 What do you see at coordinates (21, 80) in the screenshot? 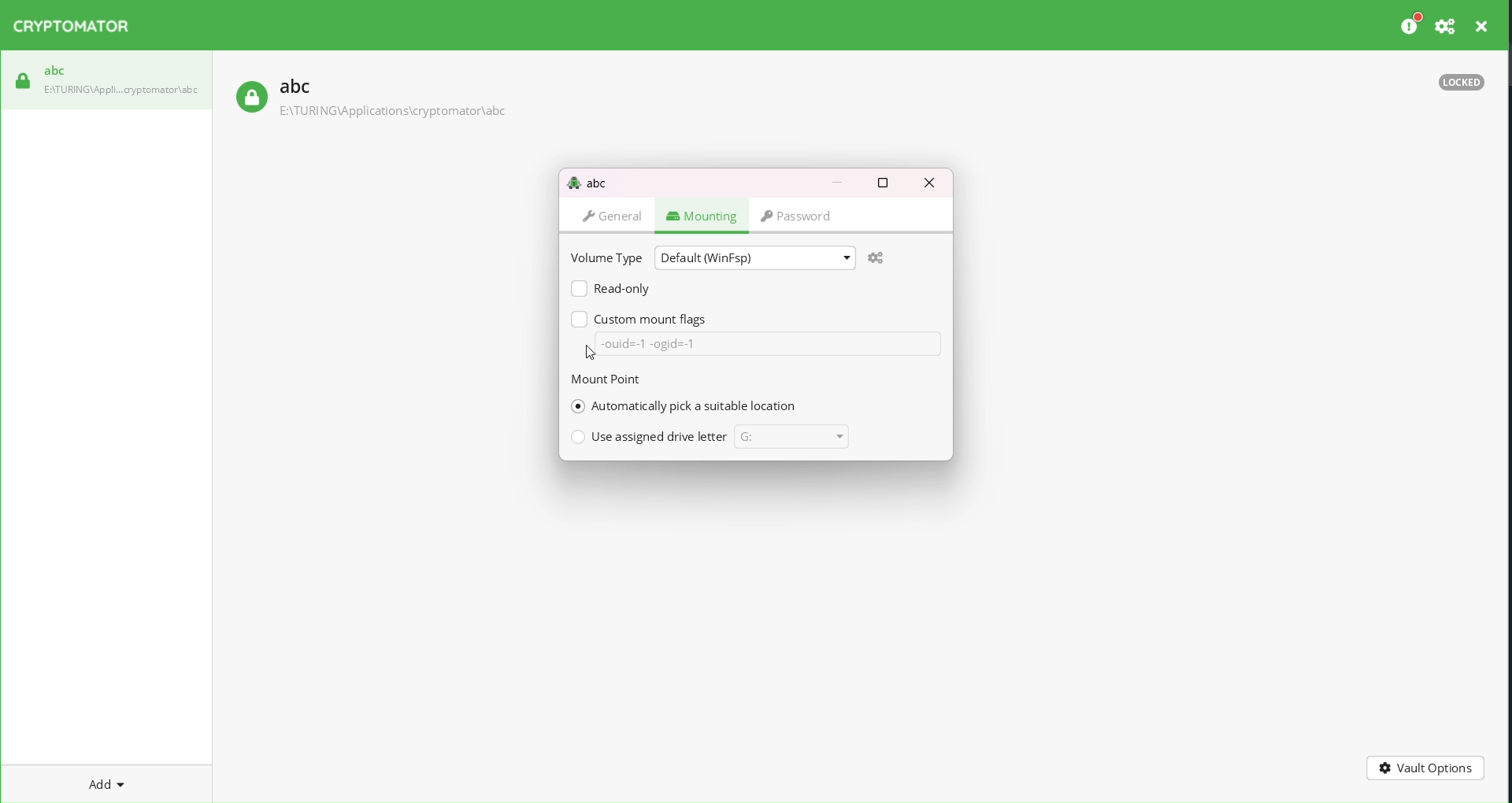
I see `locked` at bounding box center [21, 80].